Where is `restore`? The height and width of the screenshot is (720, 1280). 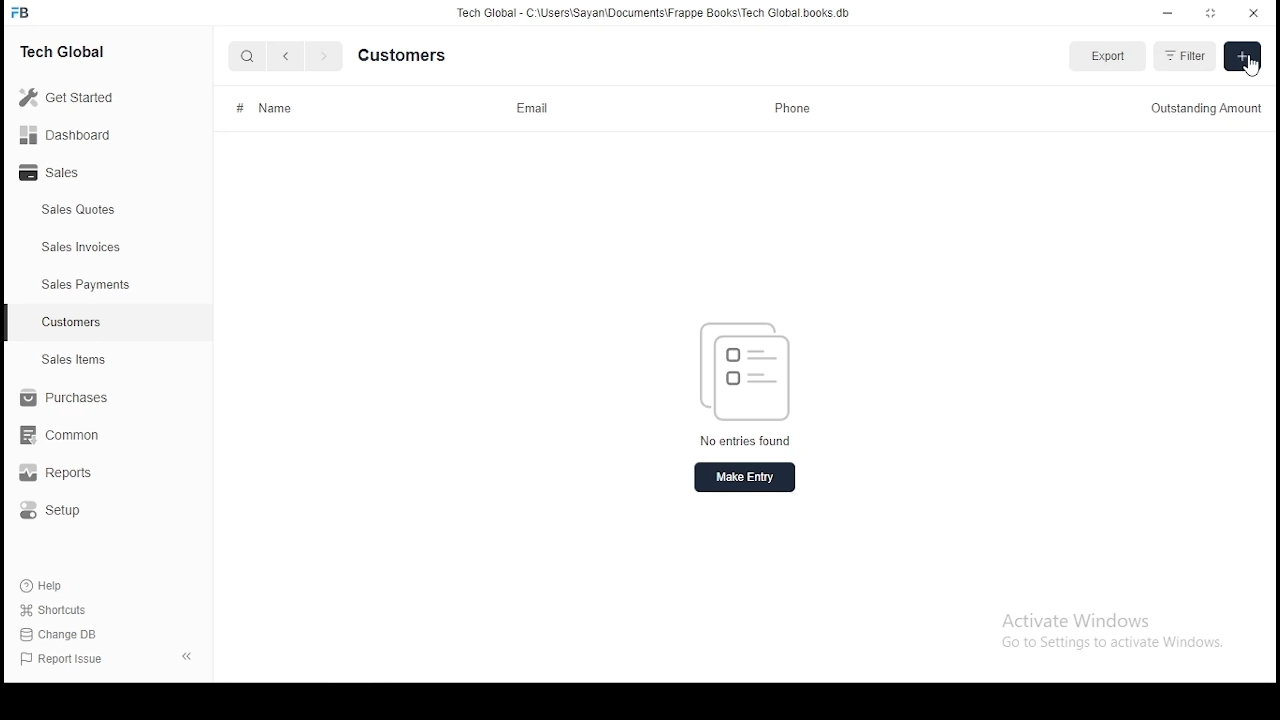 restore is located at coordinates (1211, 12).